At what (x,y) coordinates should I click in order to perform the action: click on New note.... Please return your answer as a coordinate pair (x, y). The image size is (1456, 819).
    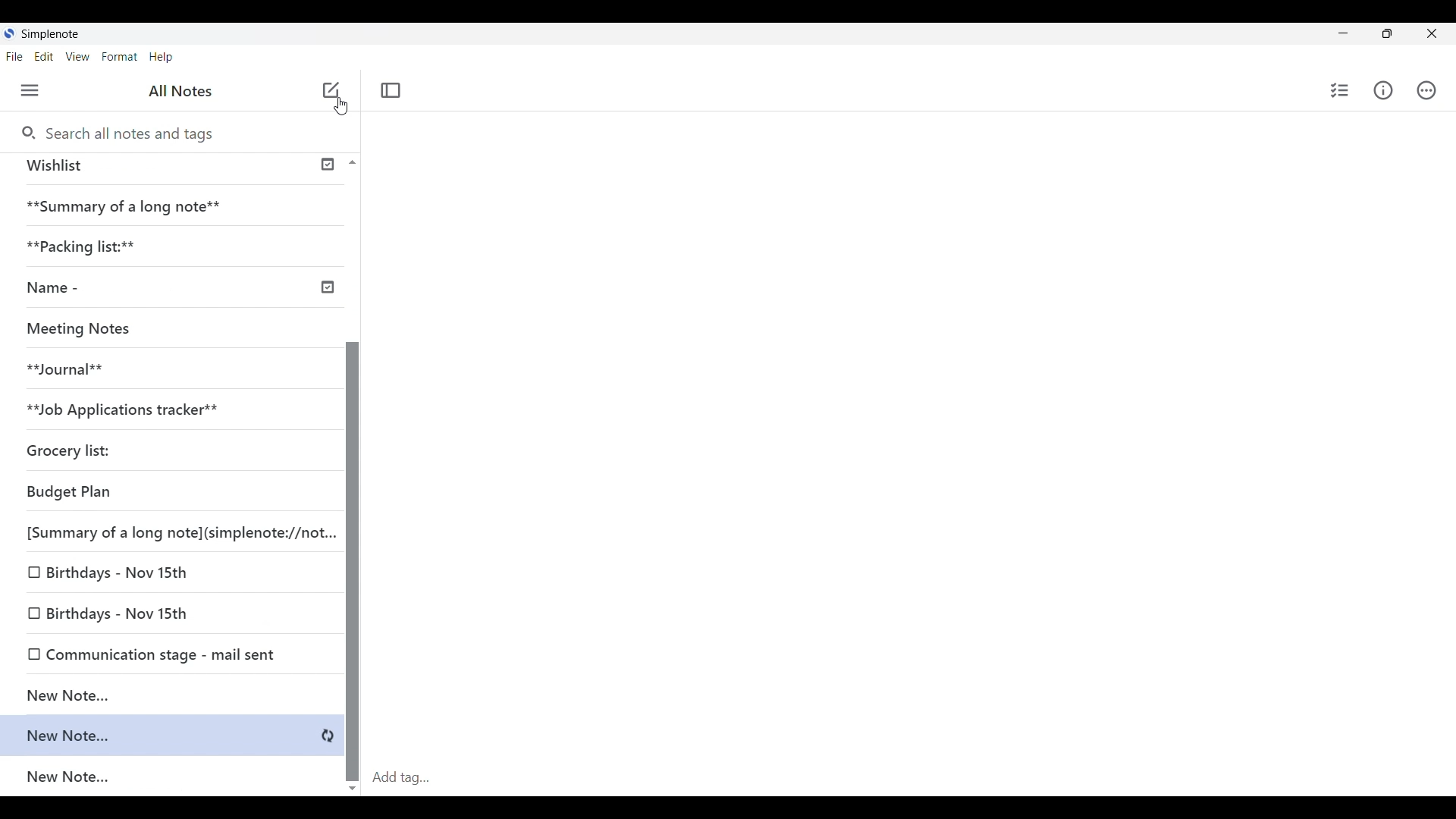
    Looking at the image, I should click on (180, 777).